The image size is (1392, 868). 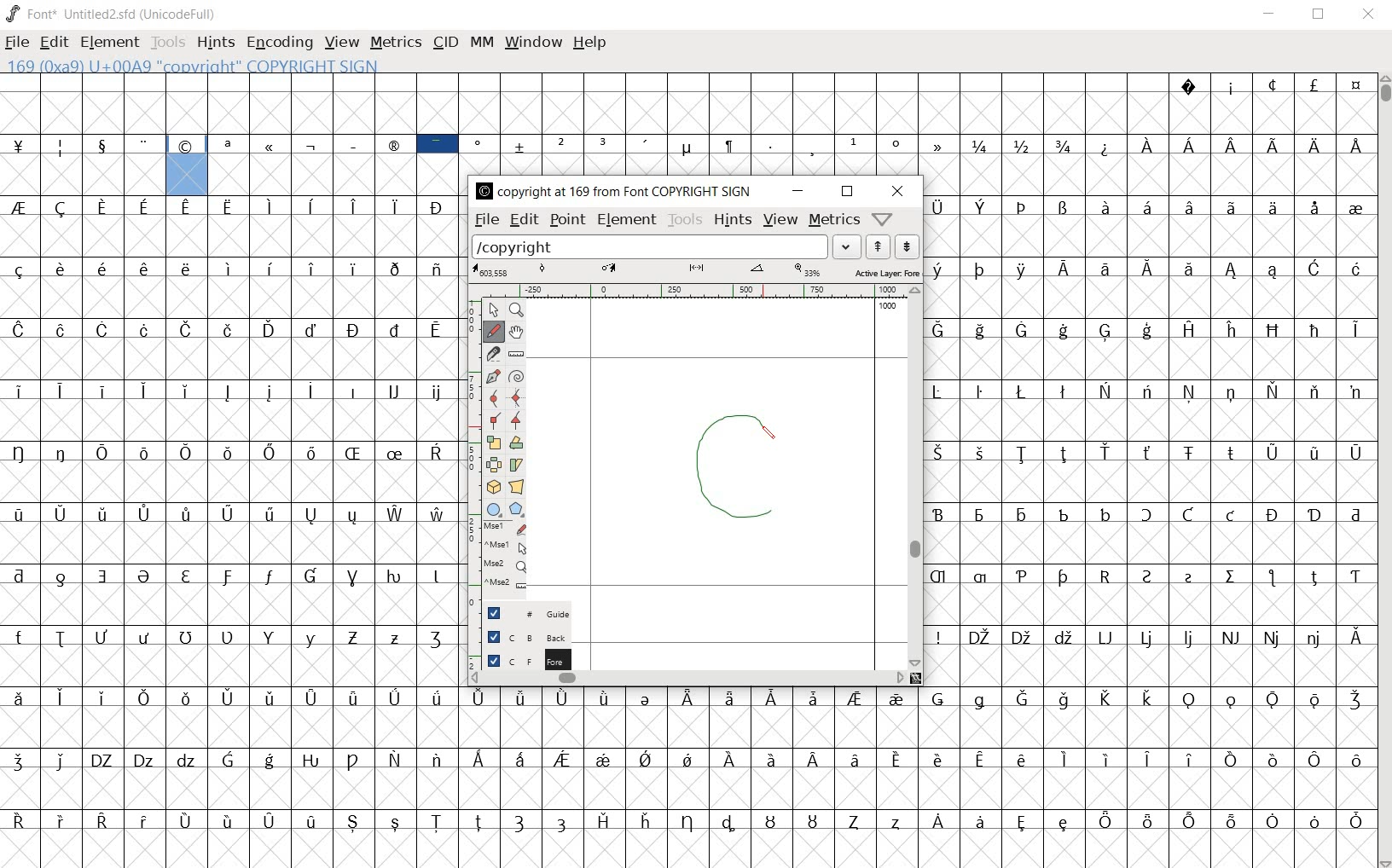 I want to click on window, so click(x=531, y=42).